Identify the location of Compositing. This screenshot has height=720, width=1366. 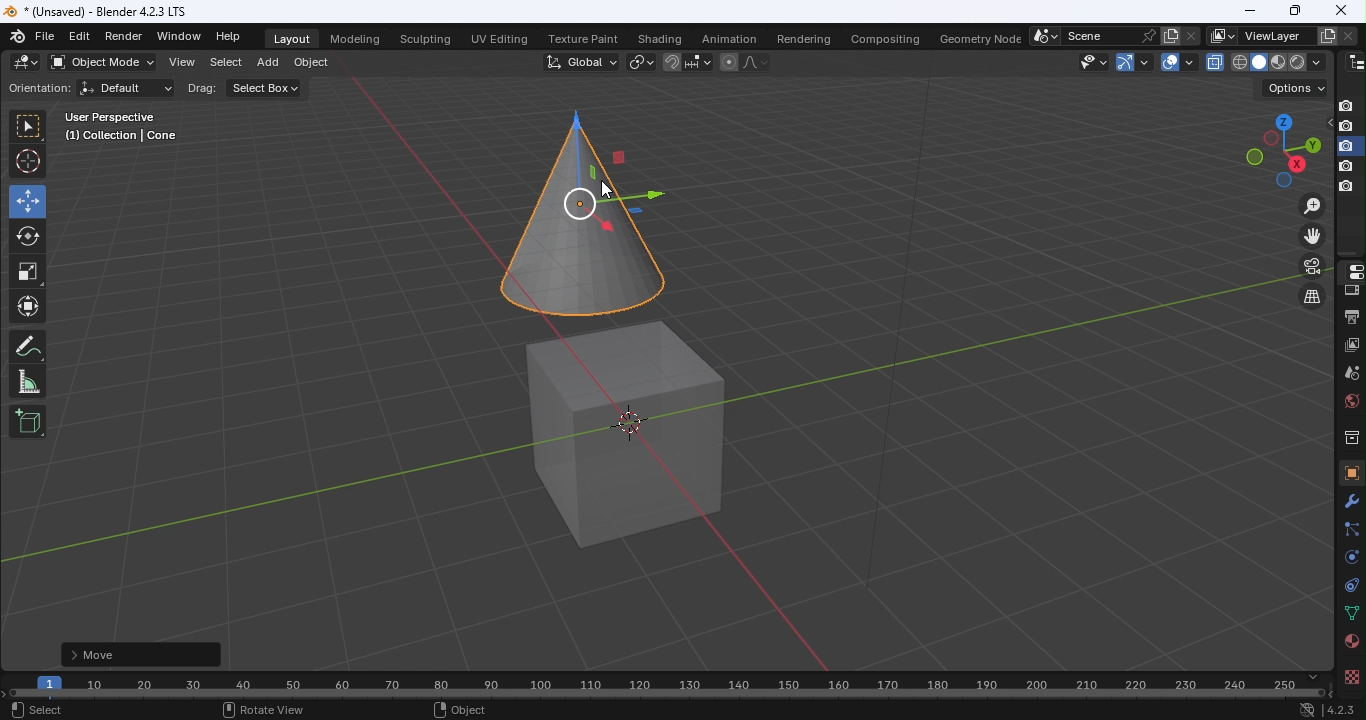
(882, 35).